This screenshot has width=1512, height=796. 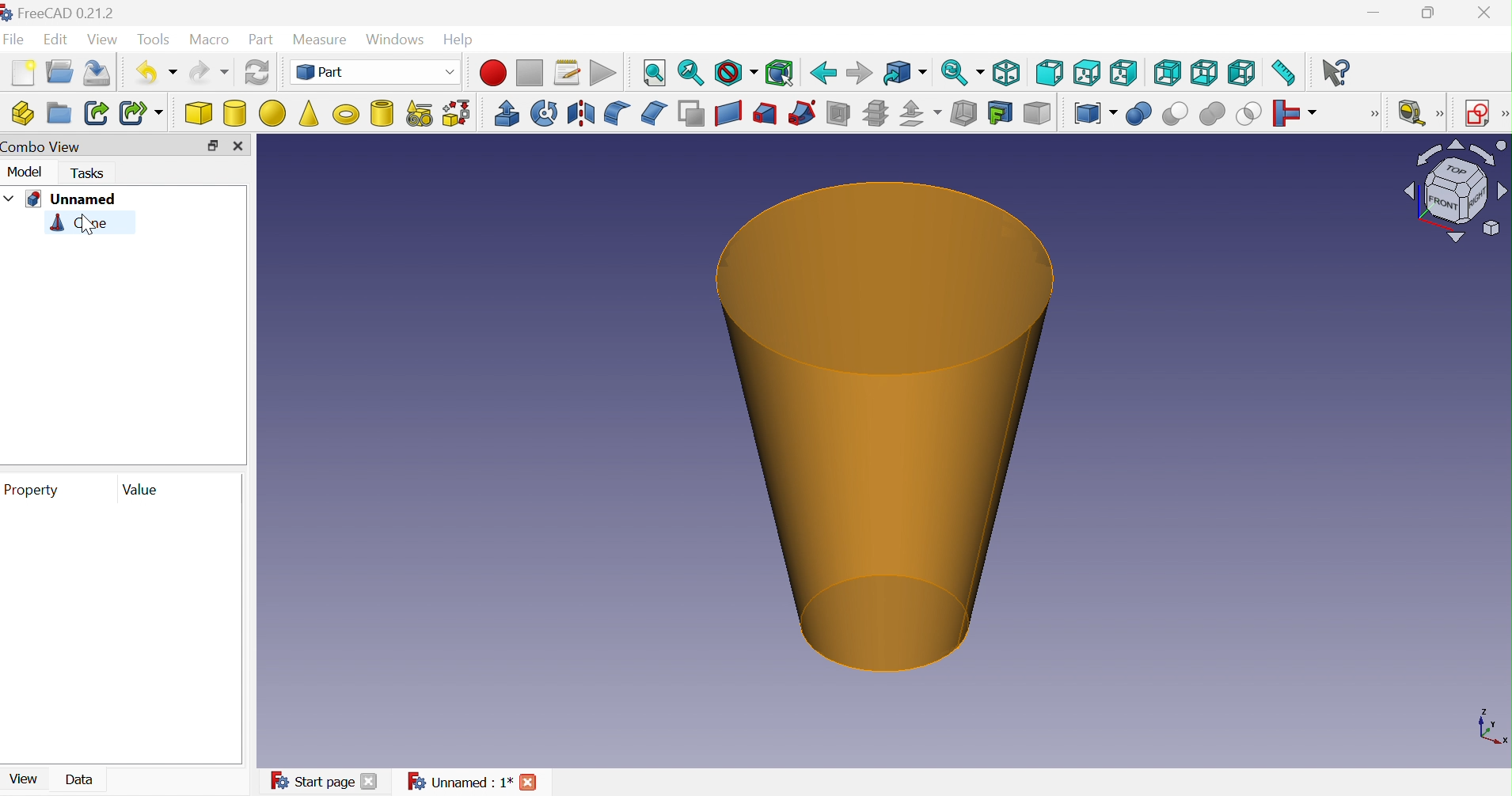 What do you see at coordinates (1168, 72) in the screenshot?
I see `Rear` at bounding box center [1168, 72].